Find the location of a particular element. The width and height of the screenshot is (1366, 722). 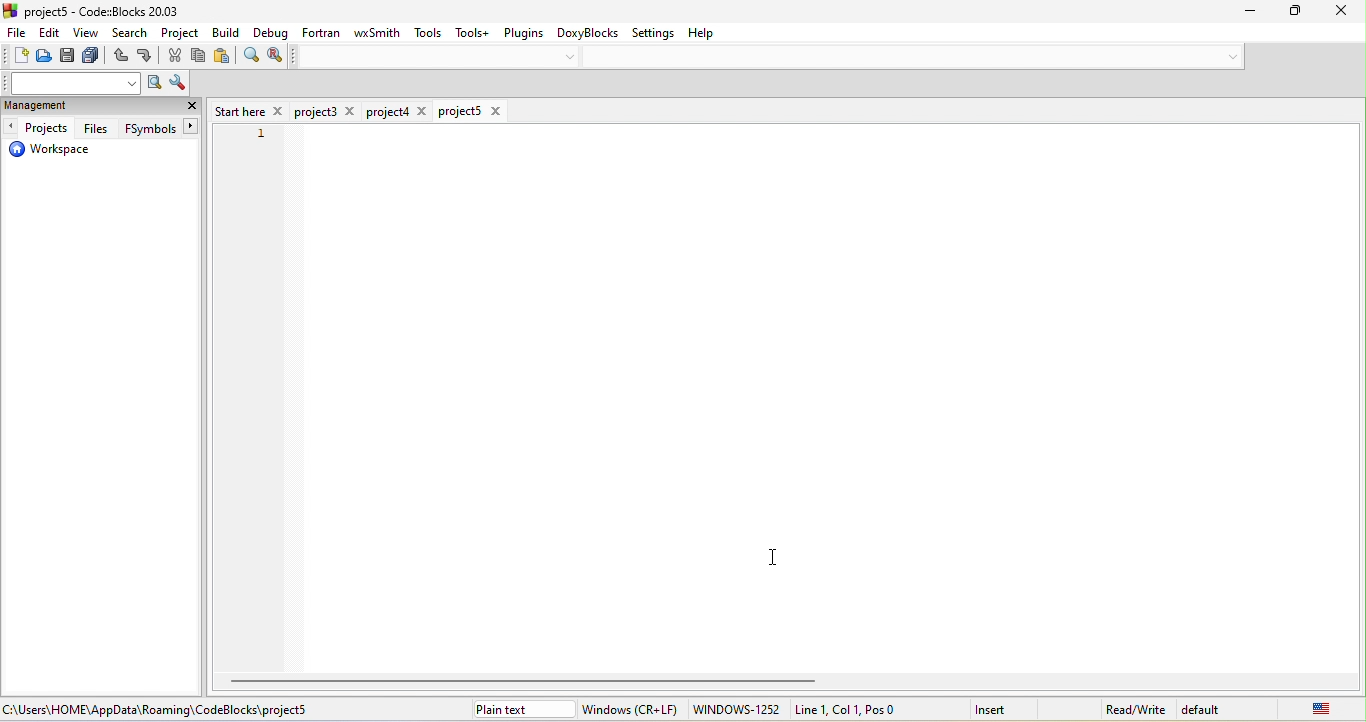

start here is located at coordinates (249, 110).